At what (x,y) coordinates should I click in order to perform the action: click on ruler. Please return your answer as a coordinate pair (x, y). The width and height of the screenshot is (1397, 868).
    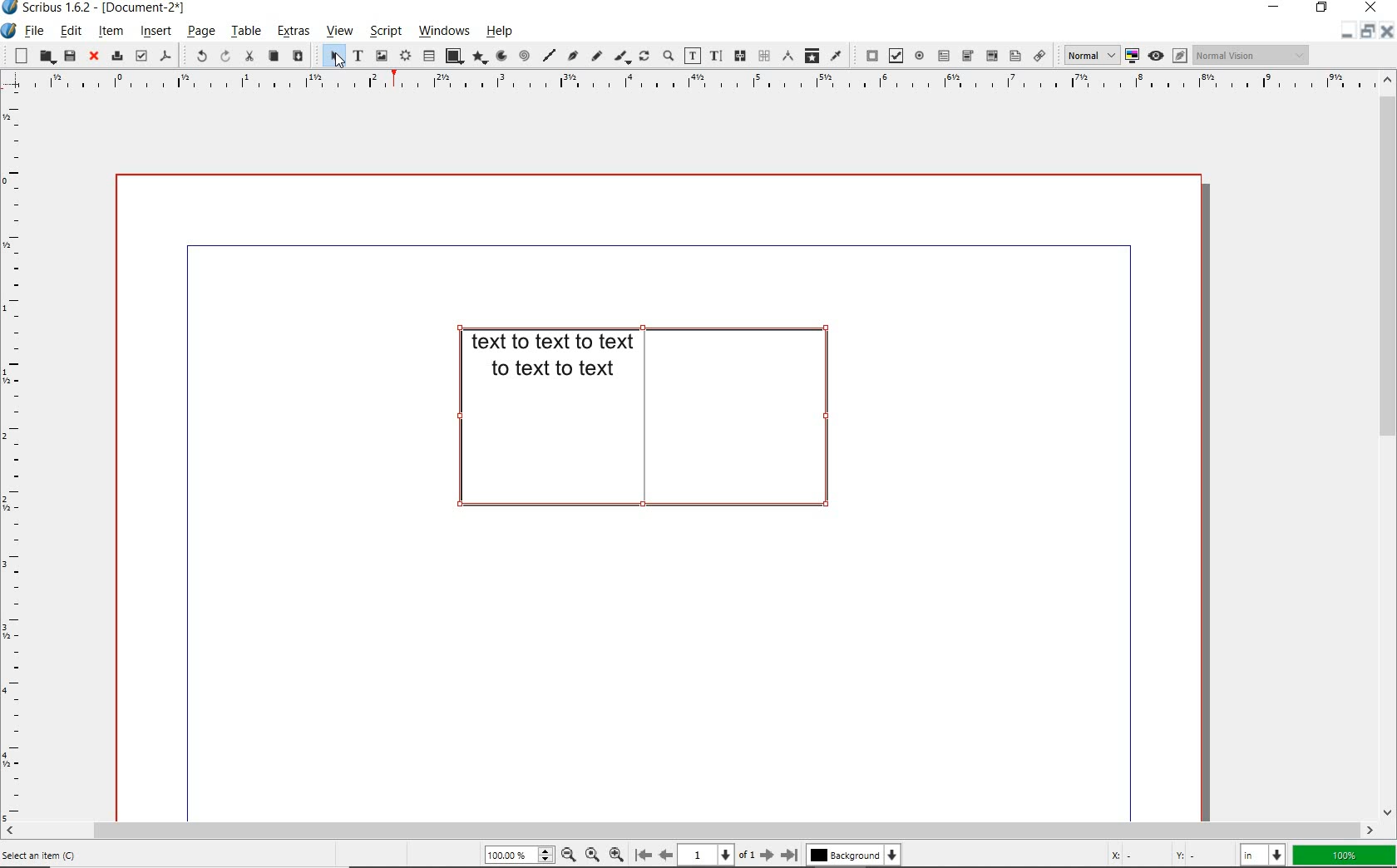
    Looking at the image, I should click on (17, 456).